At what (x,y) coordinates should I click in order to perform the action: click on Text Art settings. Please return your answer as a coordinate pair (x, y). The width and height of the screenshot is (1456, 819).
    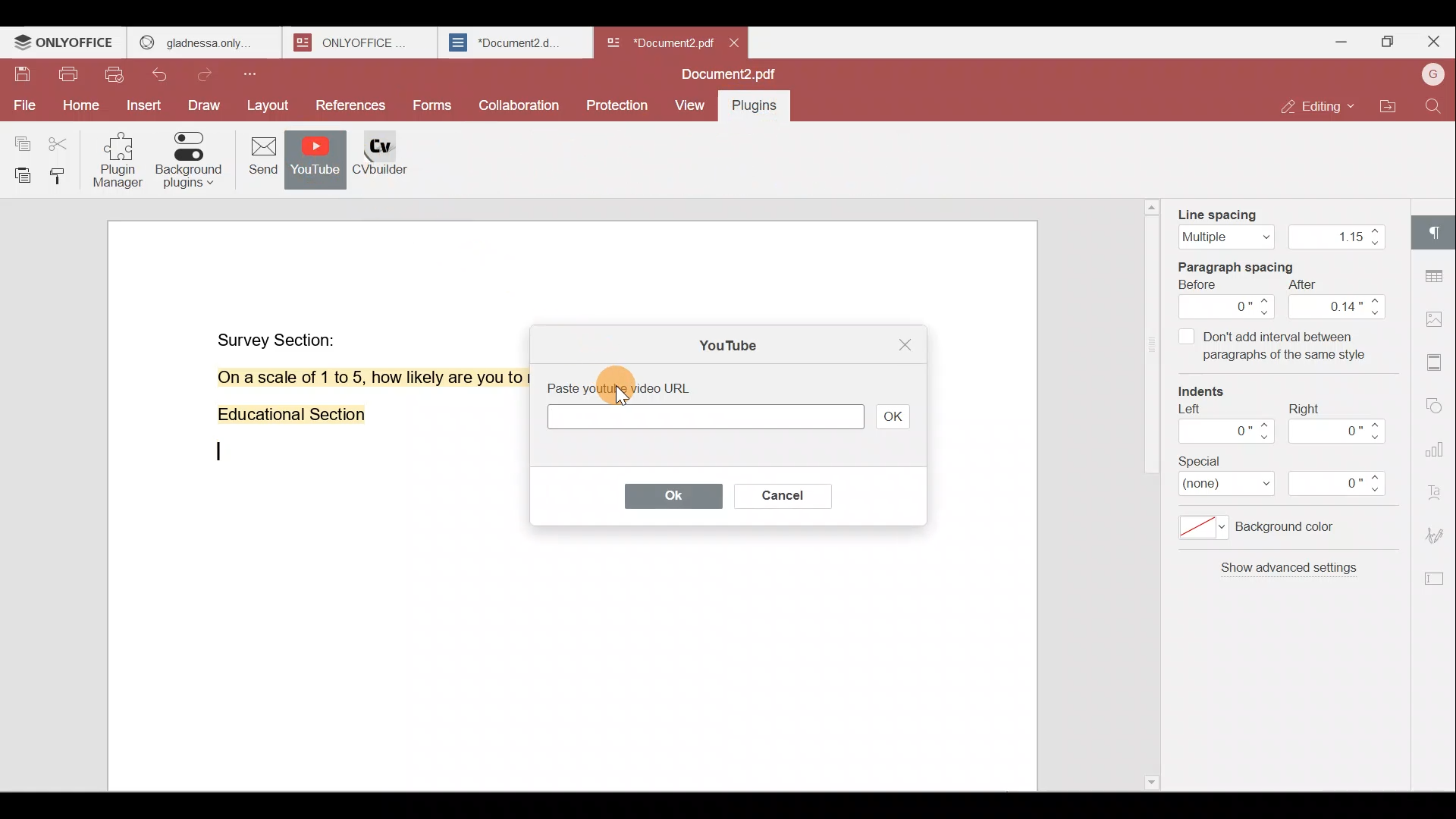
    Looking at the image, I should click on (1437, 488).